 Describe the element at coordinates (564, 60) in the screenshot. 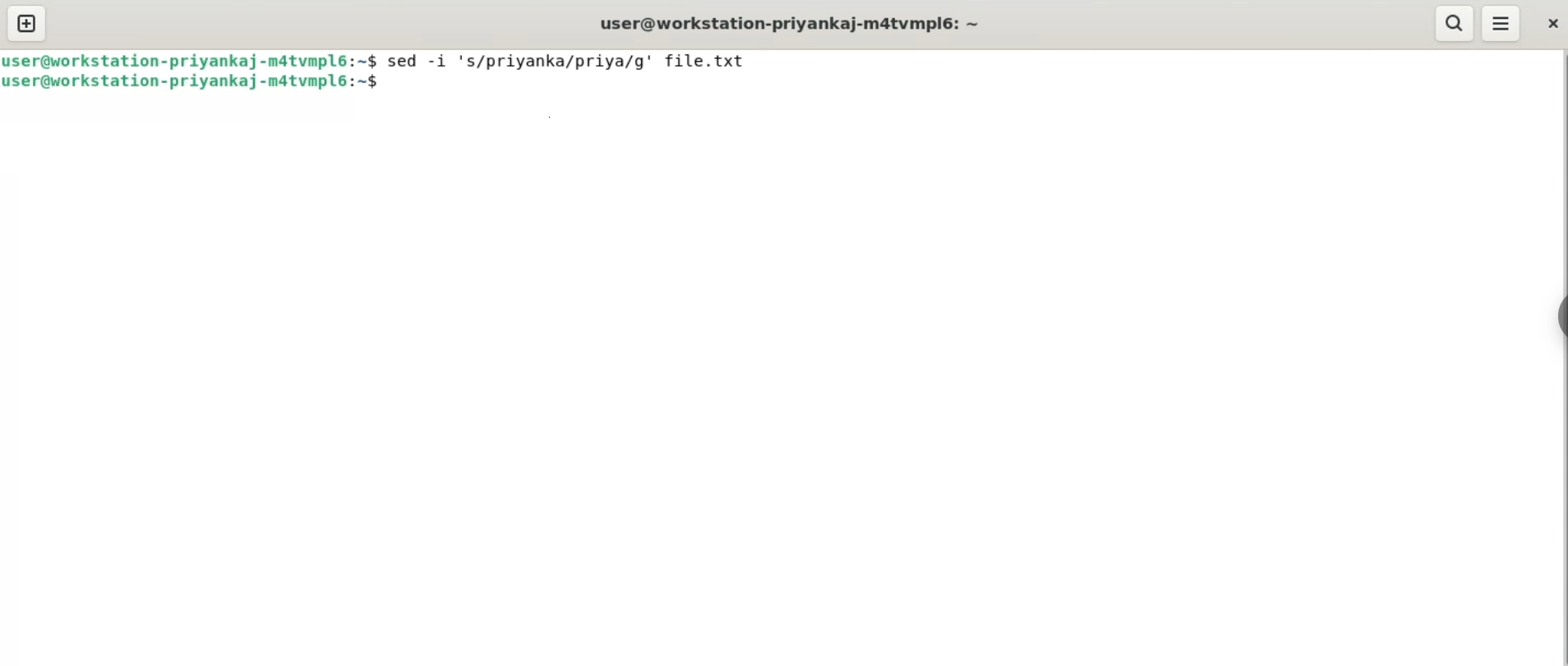

I see `sed -i 's/priyanka/priya/g' file.txt` at that location.